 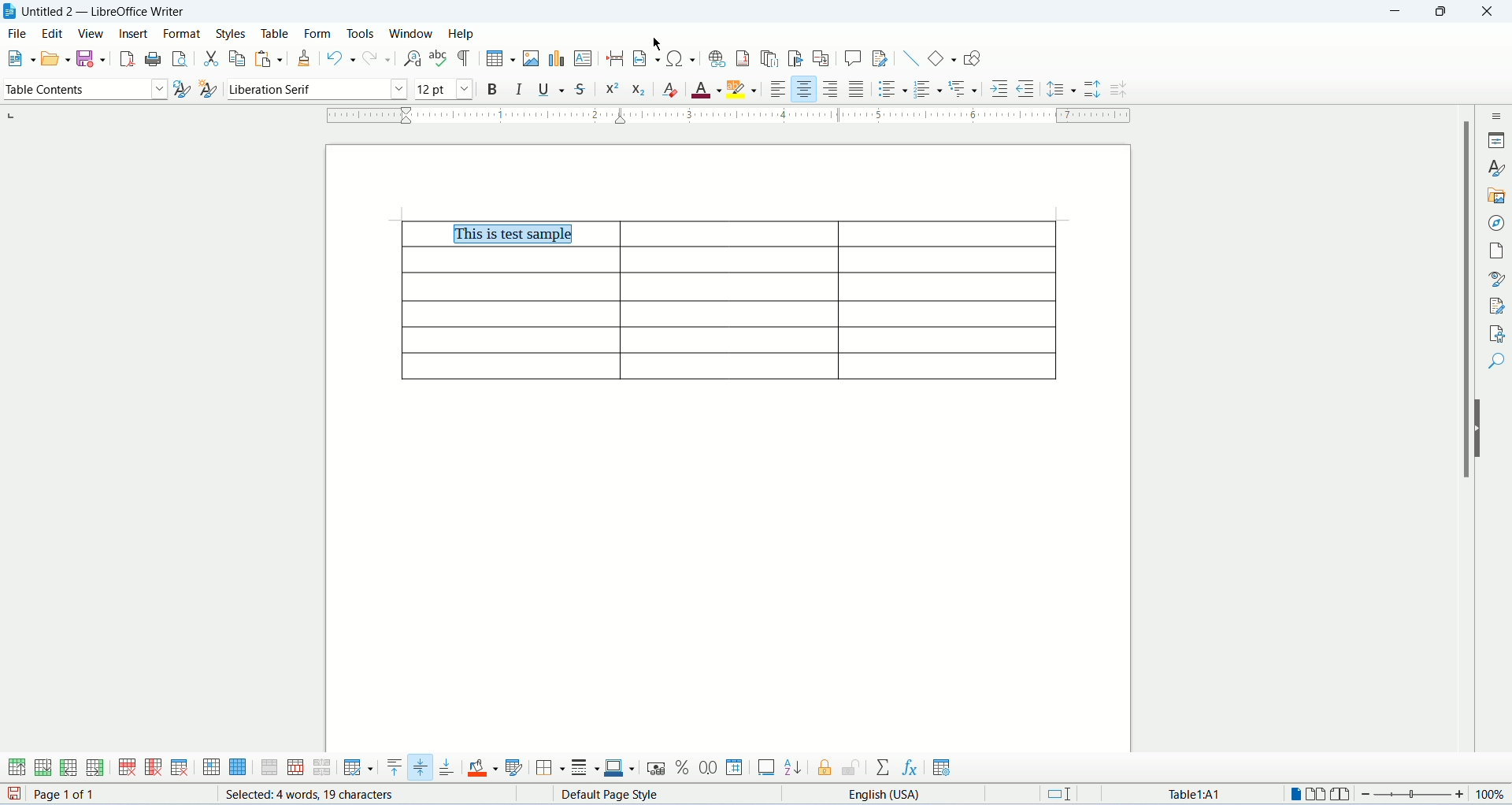 I want to click on split table, so click(x=322, y=768).